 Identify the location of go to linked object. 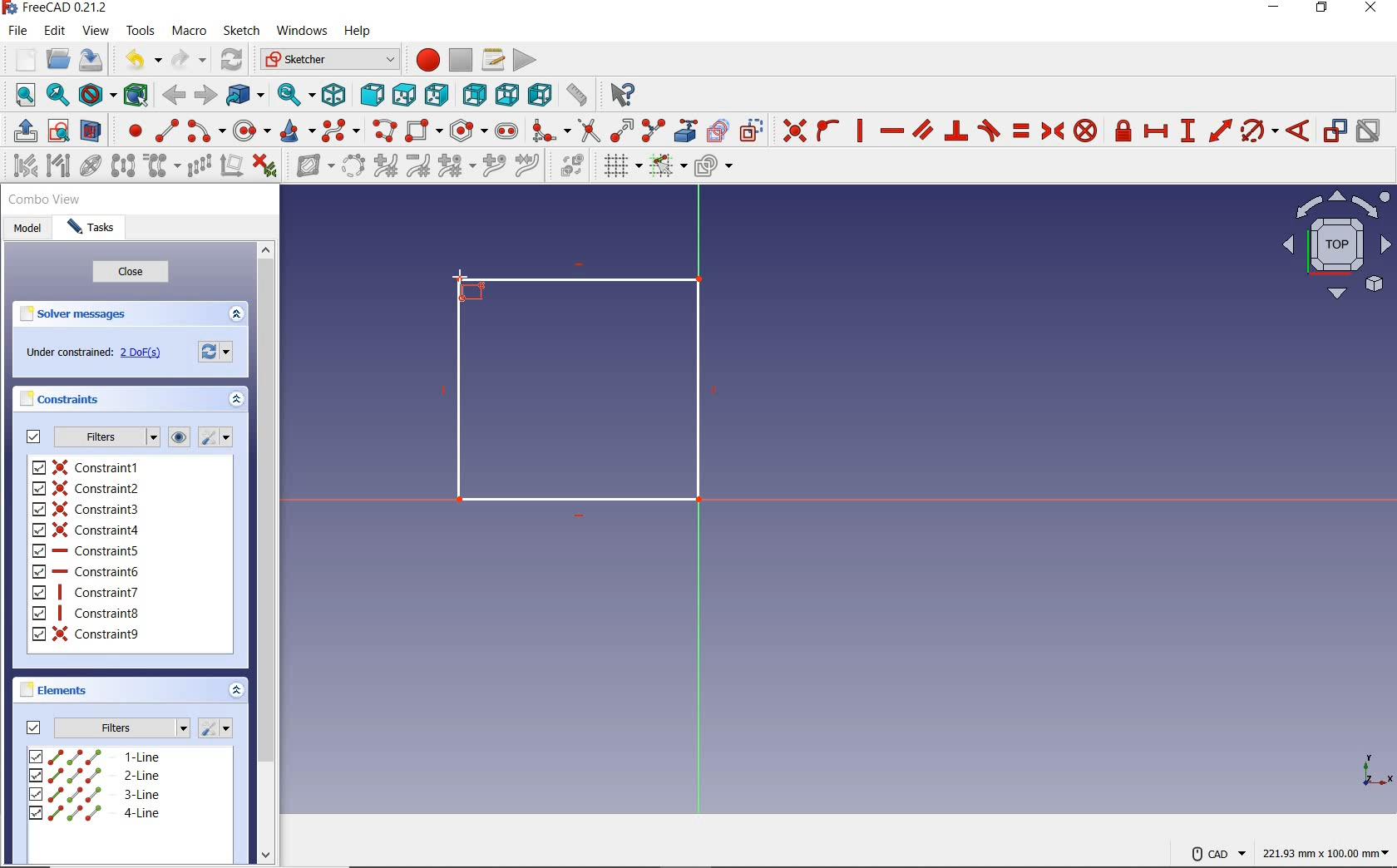
(244, 96).